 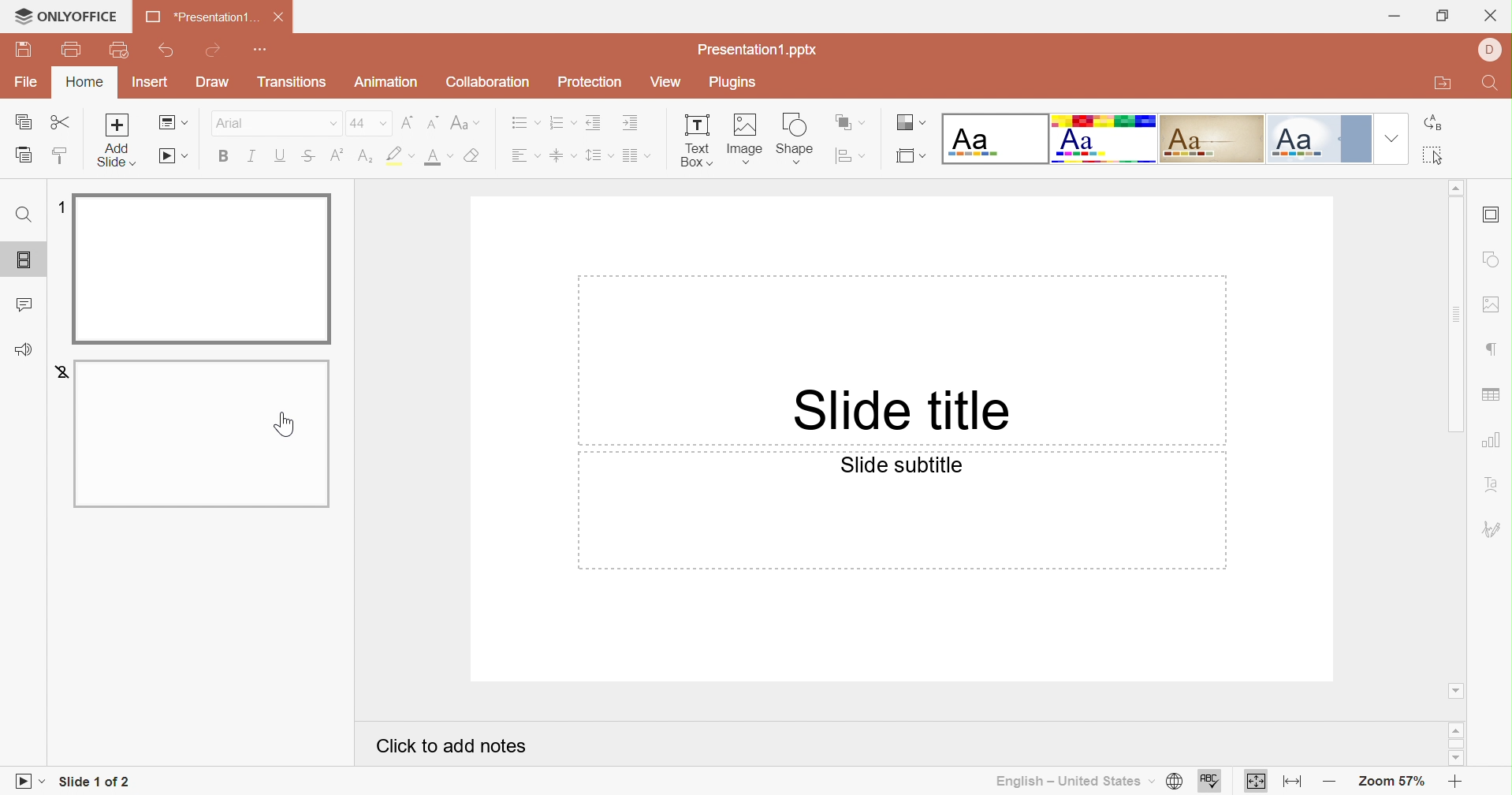 What do you see at coordinates (1454, 692) in the screenshot?
I see `Scroll down` at bounding box center [1454, 692].